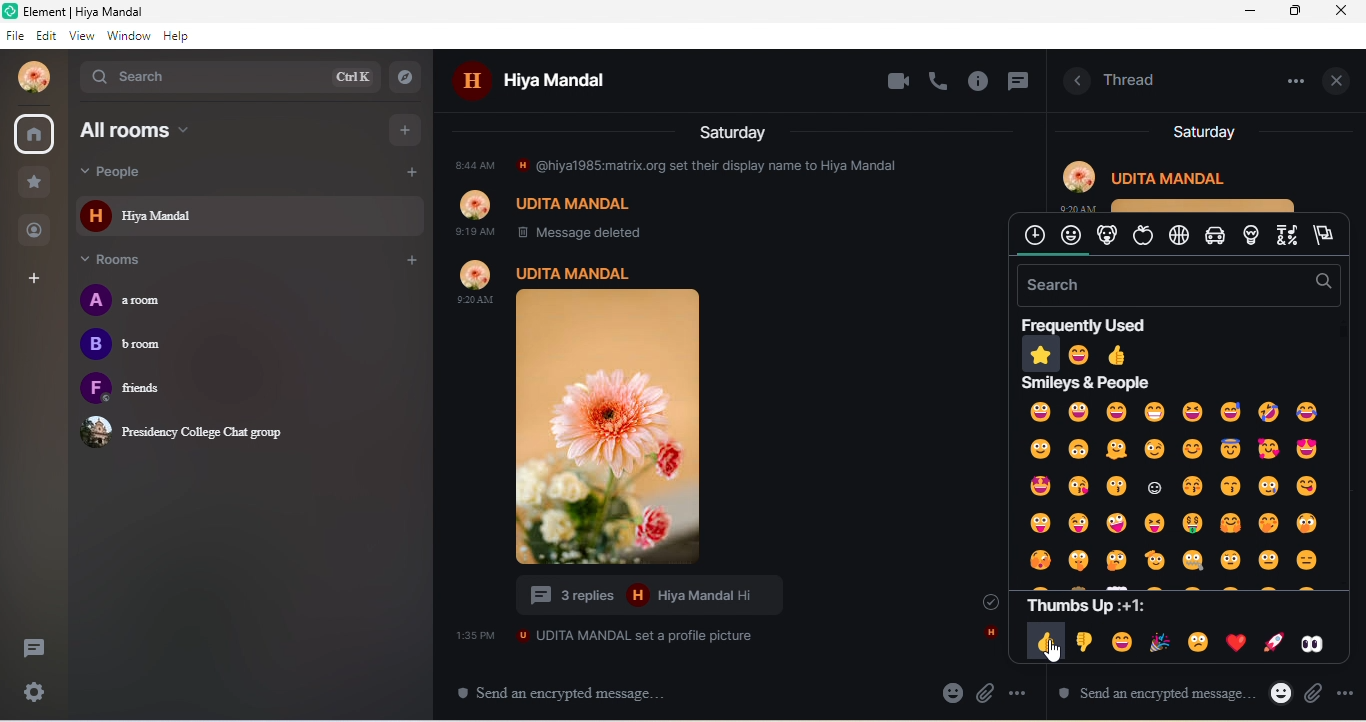 The width and height of the screenshot is (1366, 722). What do you see at coordinates (49, 36) in the screenshot?
I see `edit` at bounding box center [49, 36].